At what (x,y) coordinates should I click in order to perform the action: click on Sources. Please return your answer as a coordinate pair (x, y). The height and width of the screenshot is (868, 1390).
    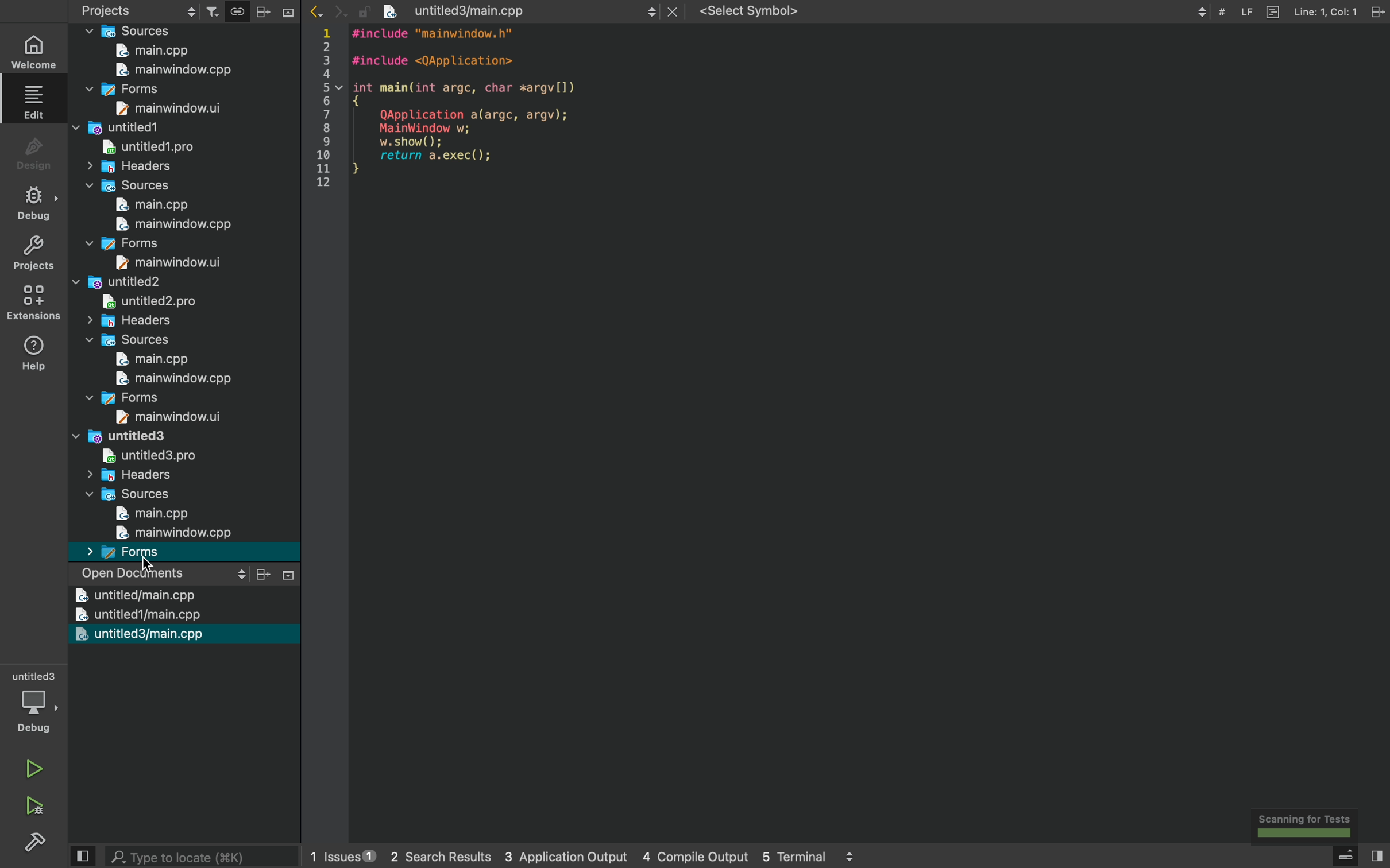
    Looking at the image, I should click on (127, 496).